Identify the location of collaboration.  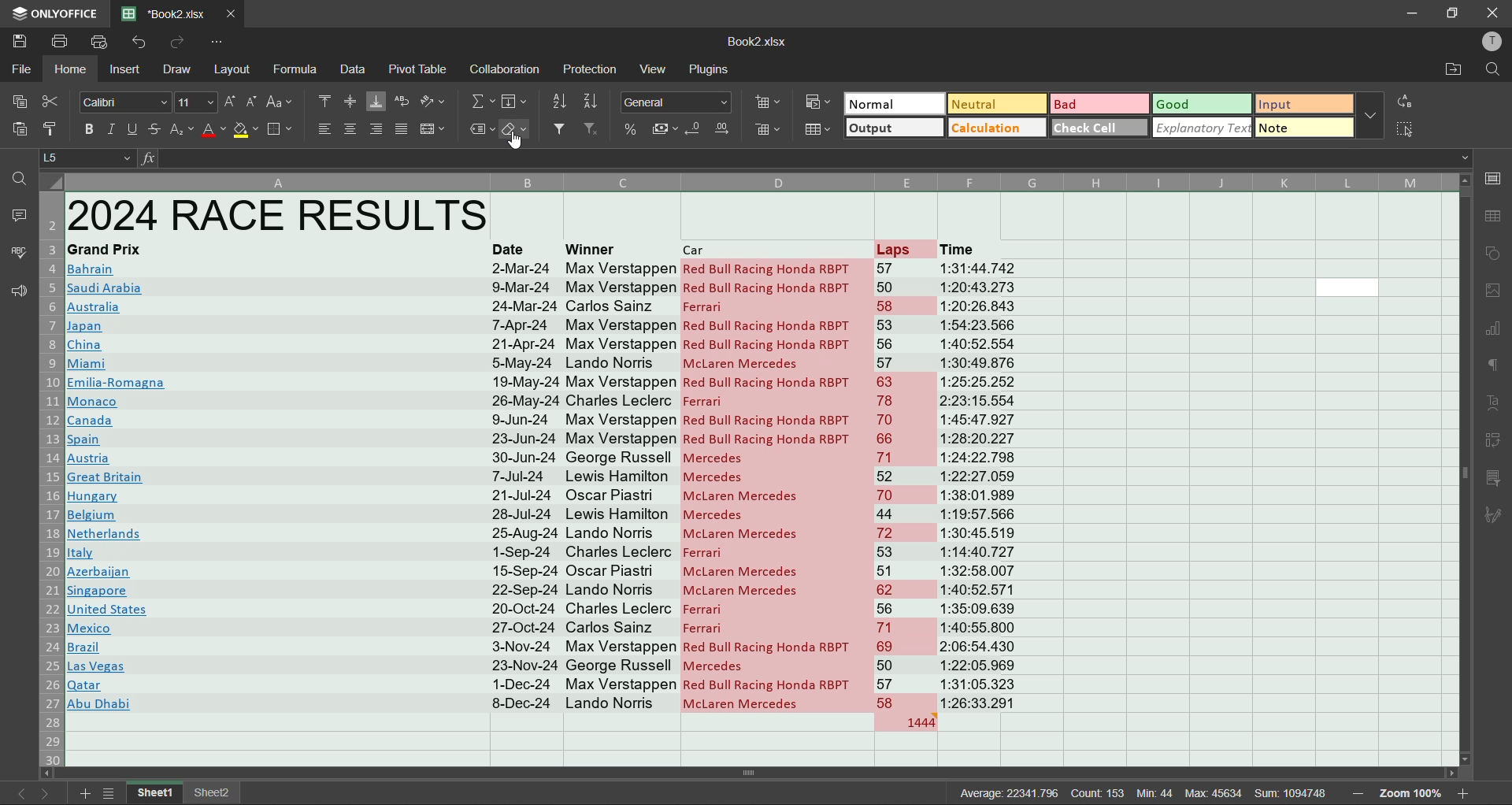
(506, 70).